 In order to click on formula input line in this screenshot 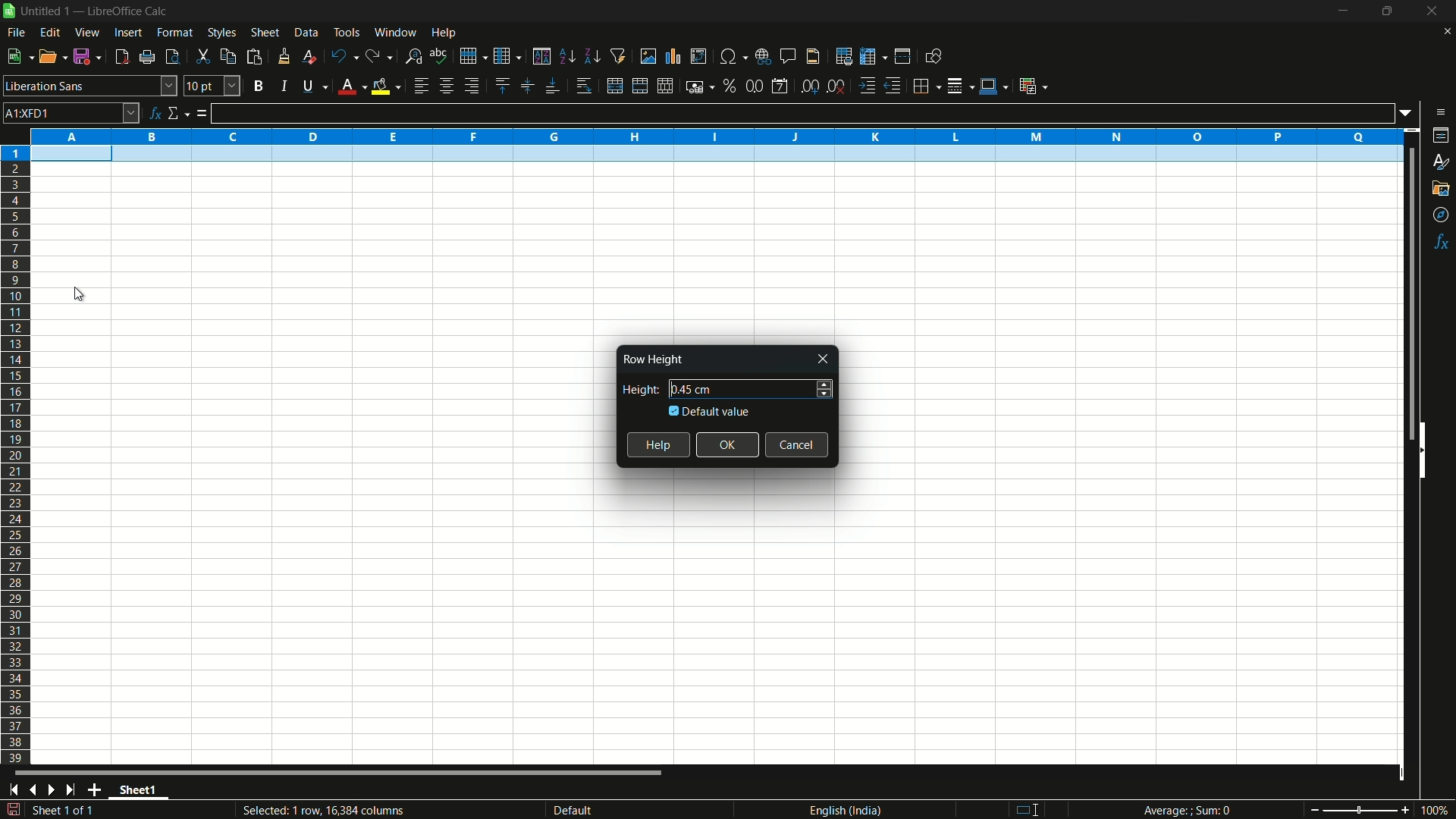, I will do `click(802, 113)`.